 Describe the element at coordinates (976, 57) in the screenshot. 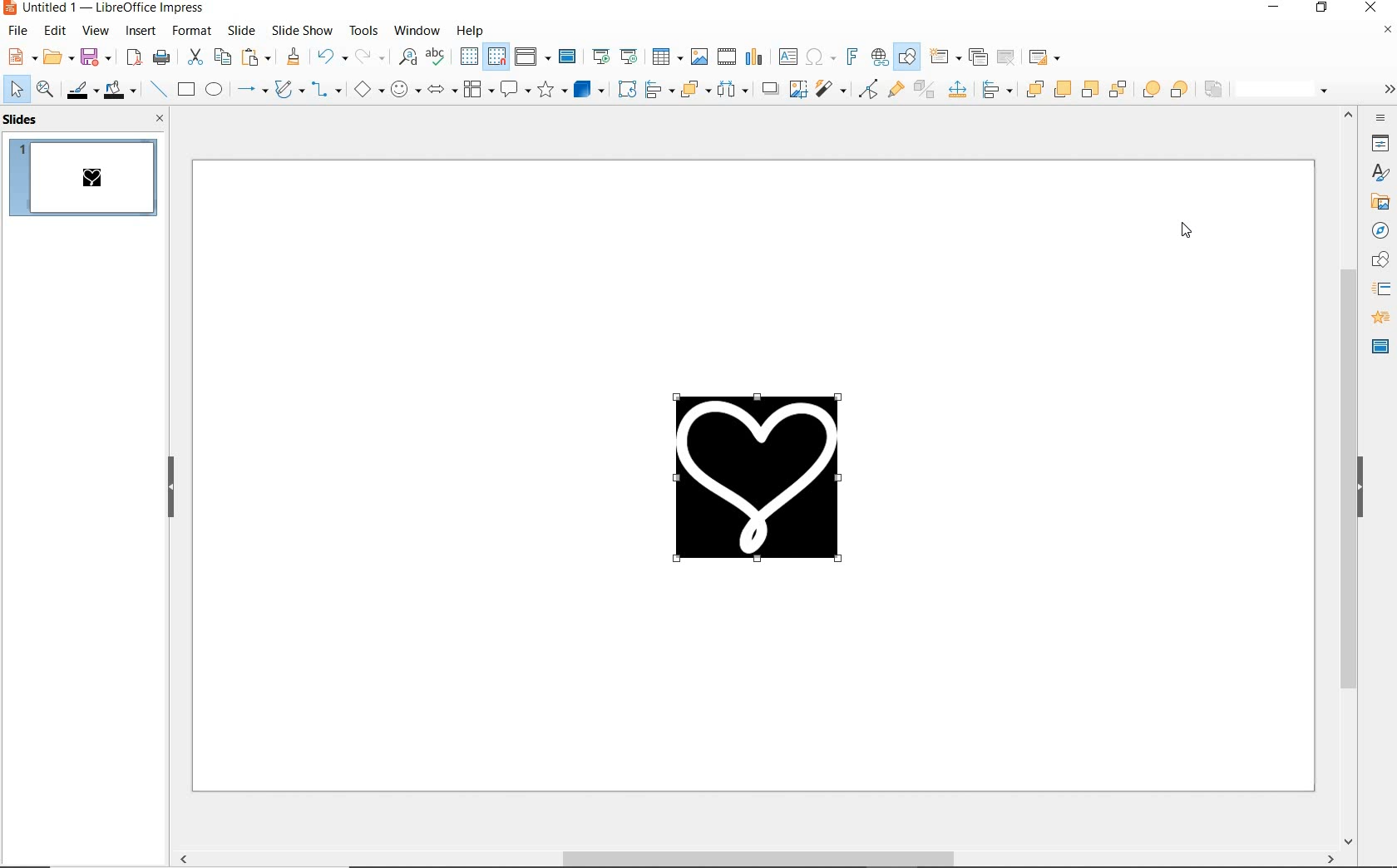

I see `duplicate slide` at that location.